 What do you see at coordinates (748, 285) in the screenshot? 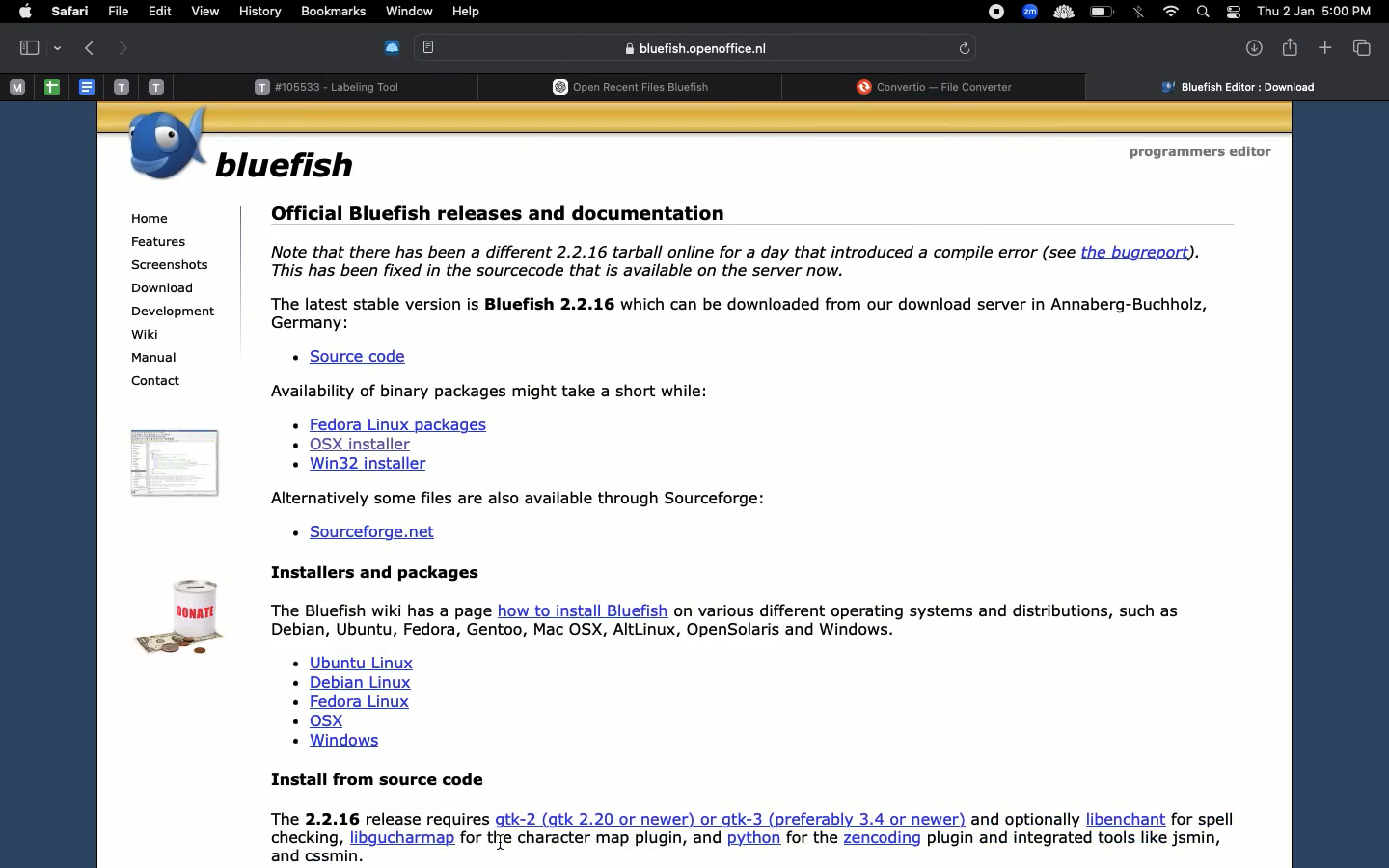
I see `2.2.16` at bounding box center [748, 285].